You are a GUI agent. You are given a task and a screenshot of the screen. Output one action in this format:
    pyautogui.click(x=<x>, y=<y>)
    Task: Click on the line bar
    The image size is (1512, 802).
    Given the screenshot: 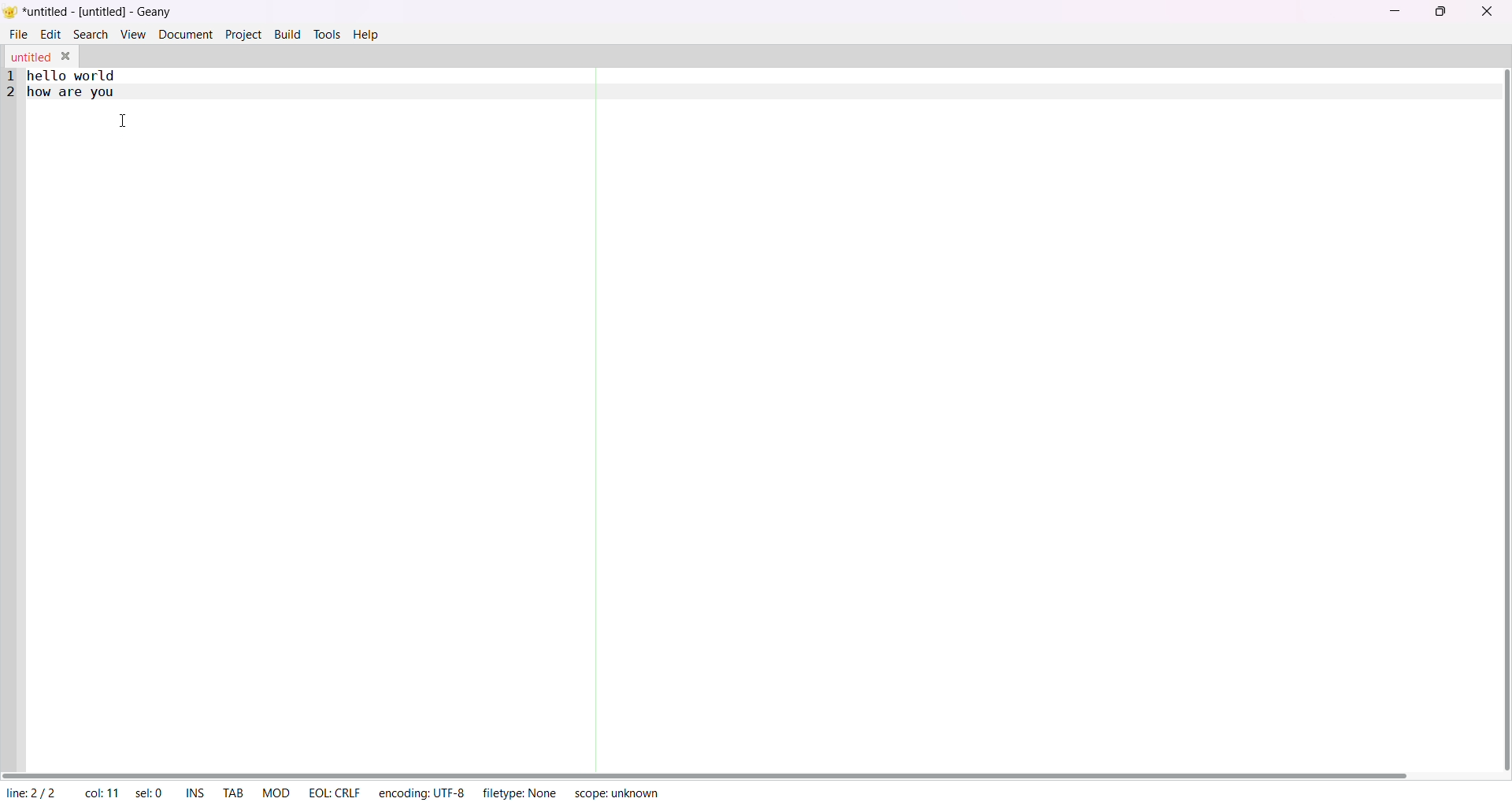 What is the action you would take?
    pyautogui.click(x=10, y=418)
    